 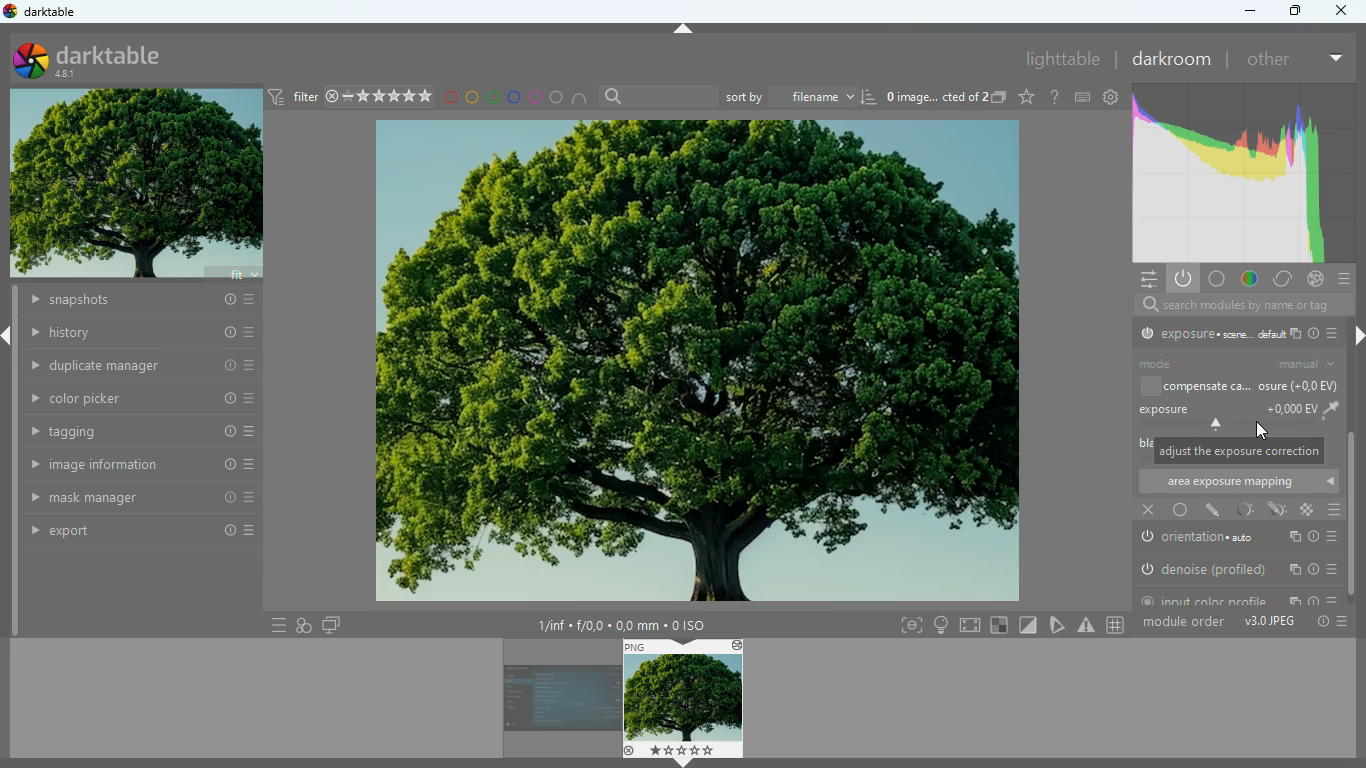 What do you see at coordinates (686, 699) in the screenshot?
I see `image` at bounding box center [686, 699].